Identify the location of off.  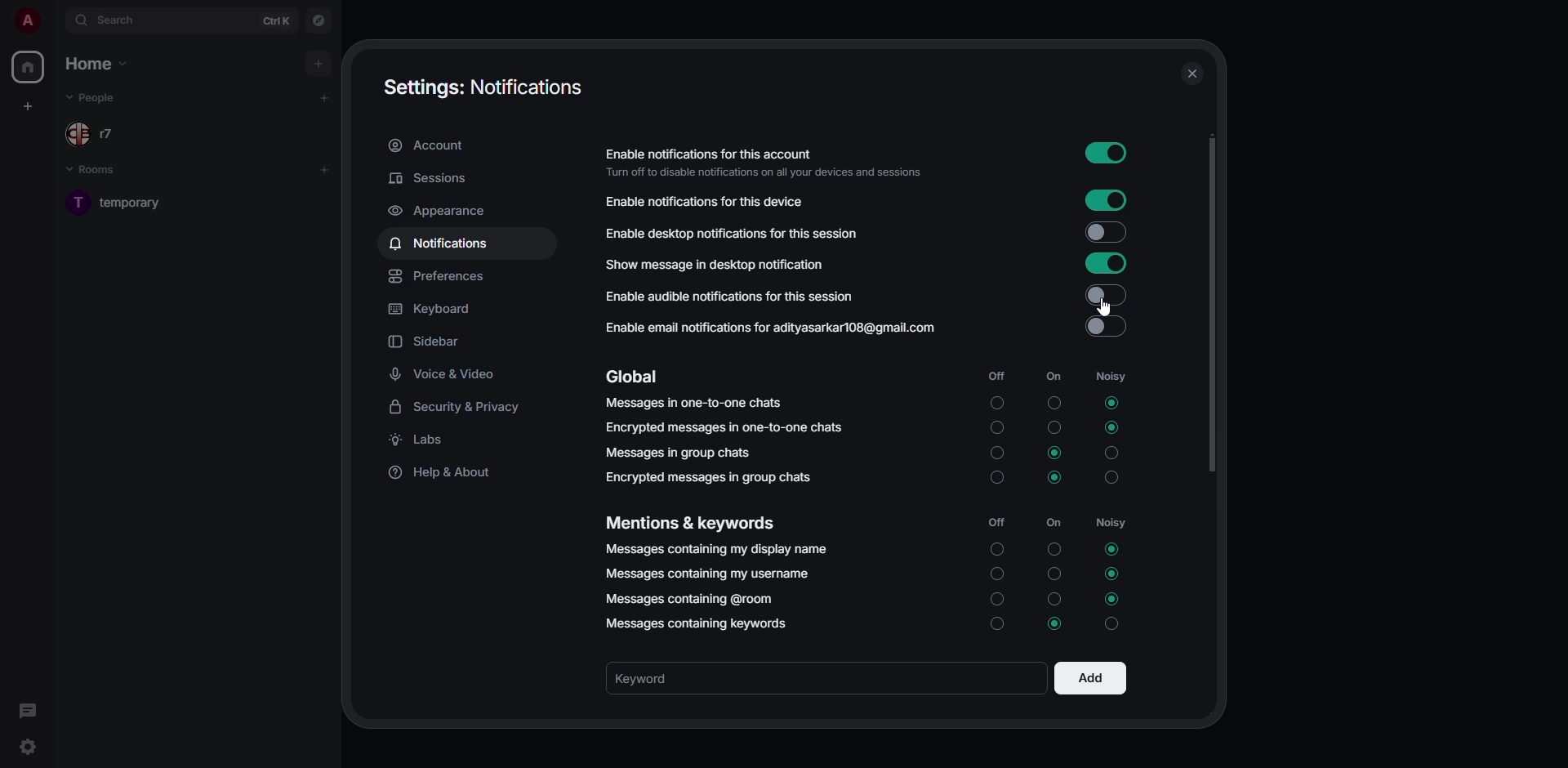
(996, 598).